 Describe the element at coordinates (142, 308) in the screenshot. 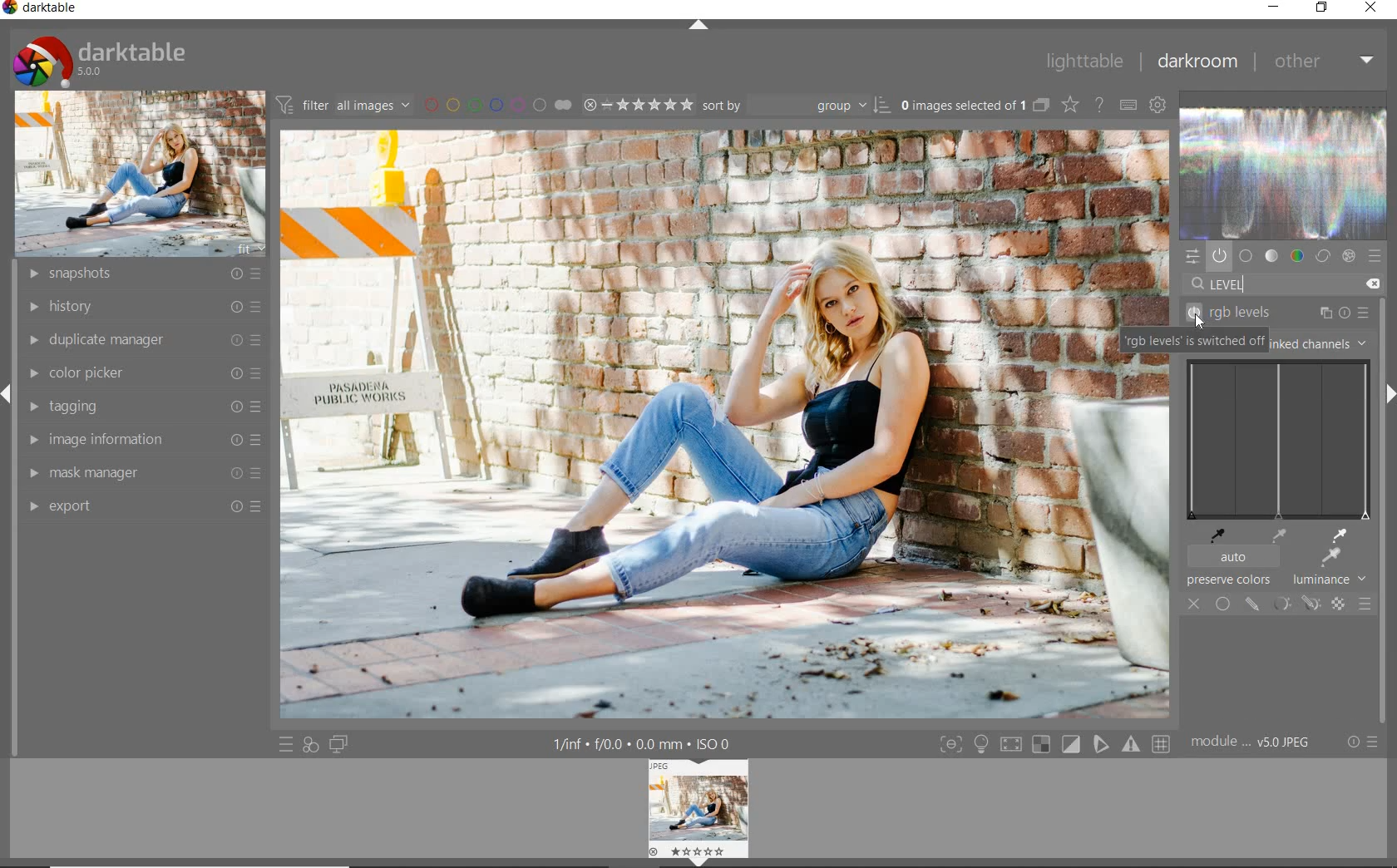

I see `history` at that location.